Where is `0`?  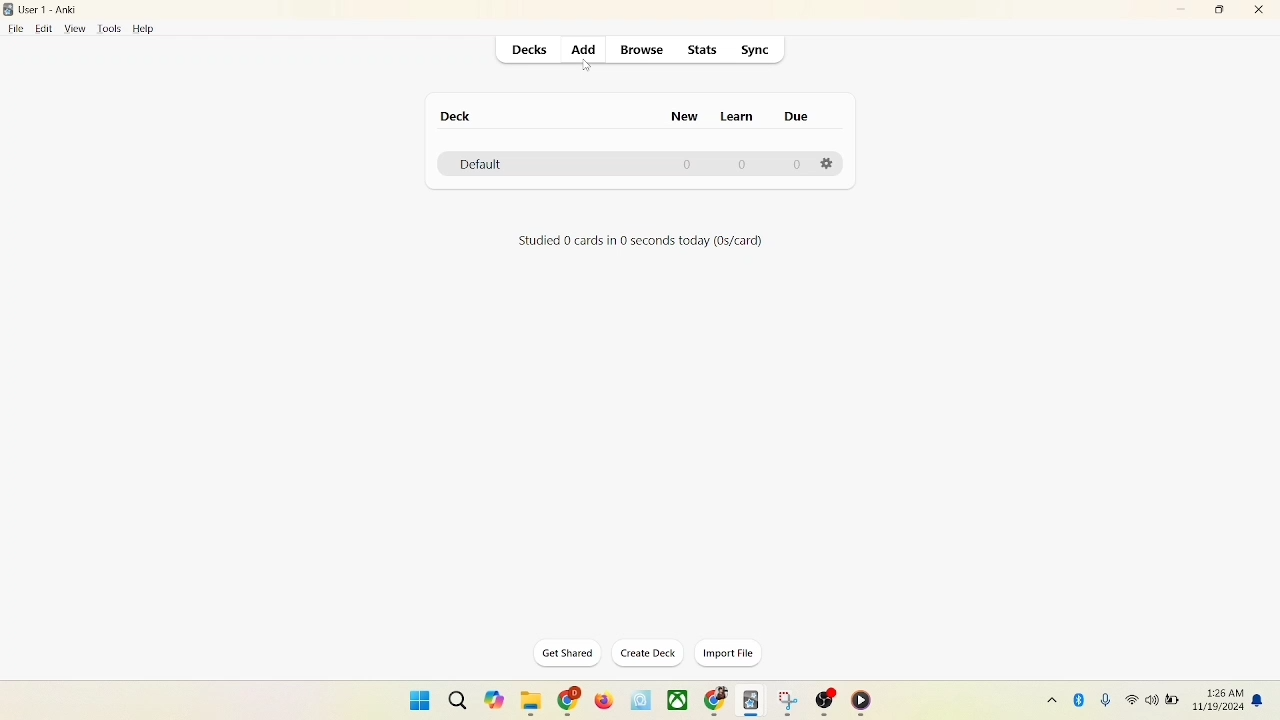
0 is located at coordinates (798, 165).